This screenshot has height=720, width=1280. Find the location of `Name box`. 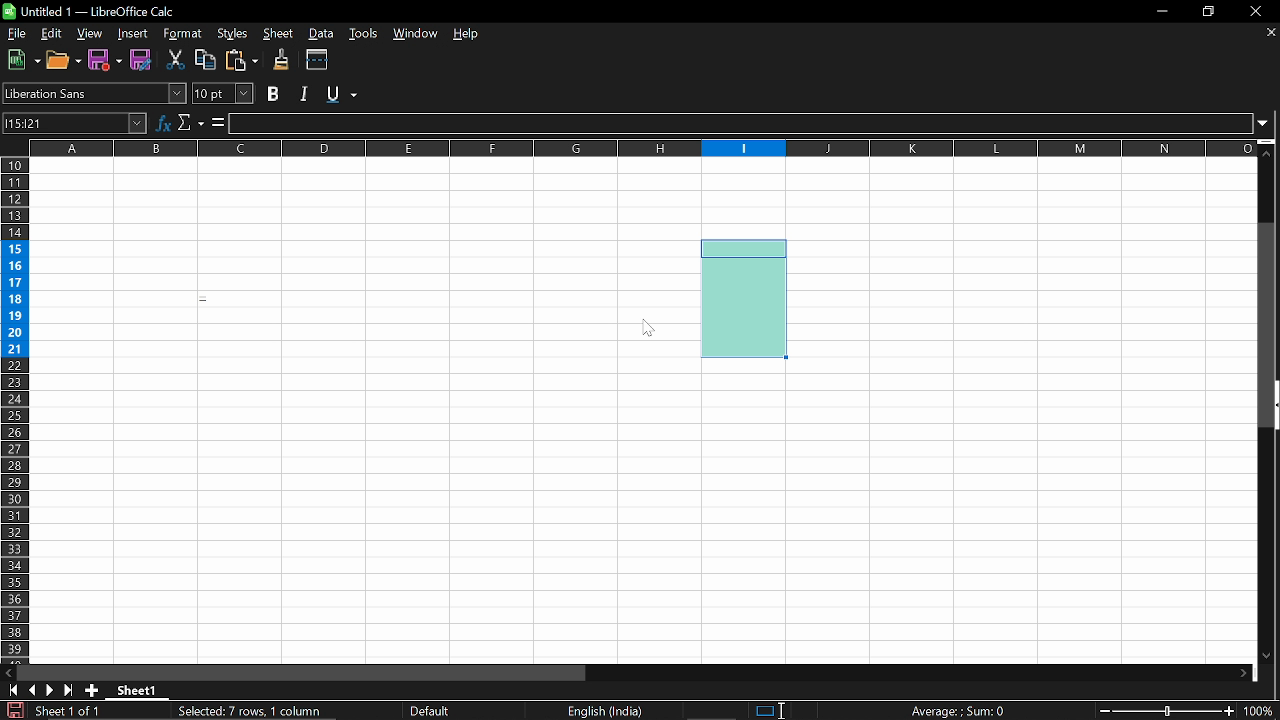

Name box is located at coordinates (74, 122).